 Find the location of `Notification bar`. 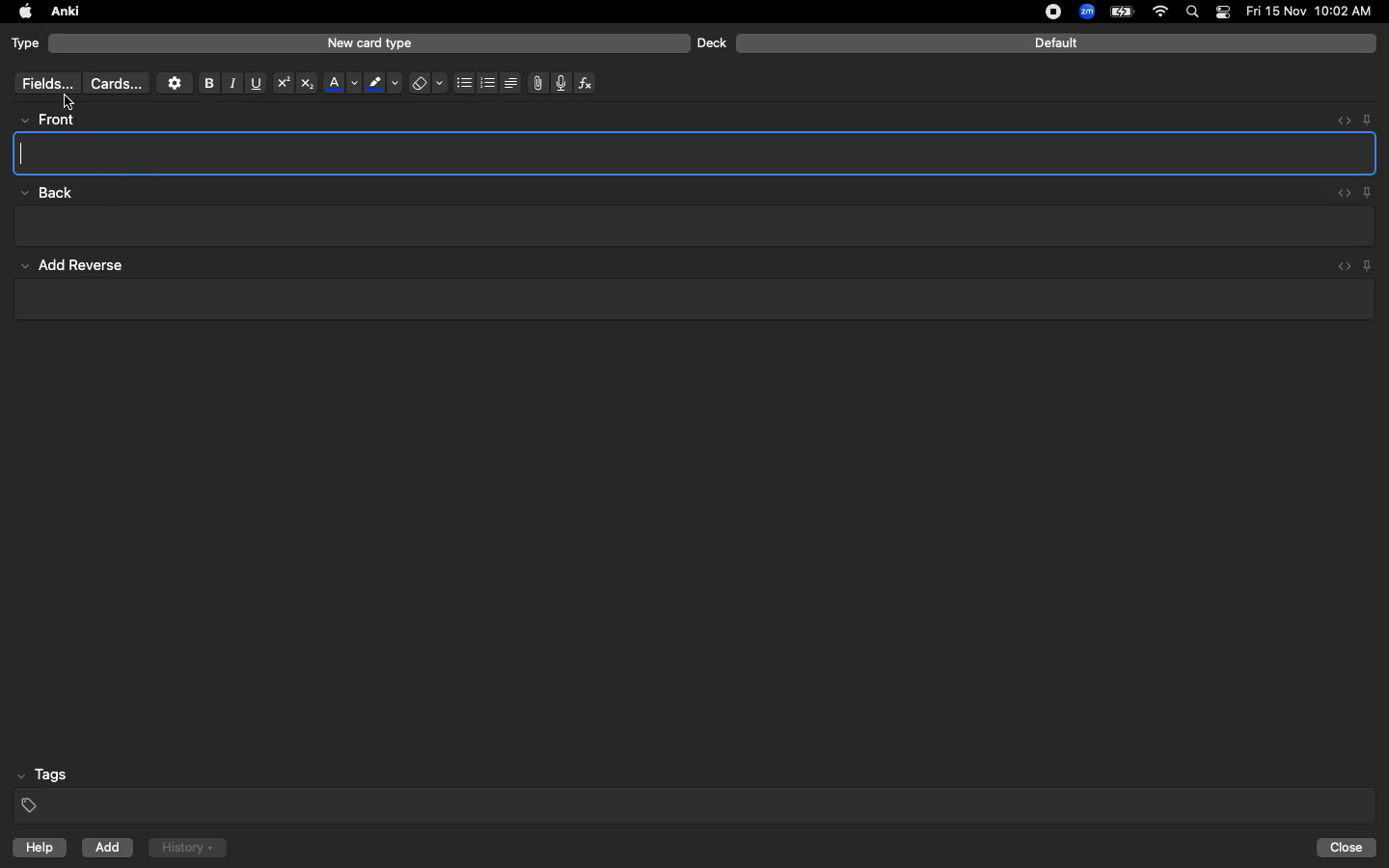

Notification bar is located at coordinates (1223, 13).